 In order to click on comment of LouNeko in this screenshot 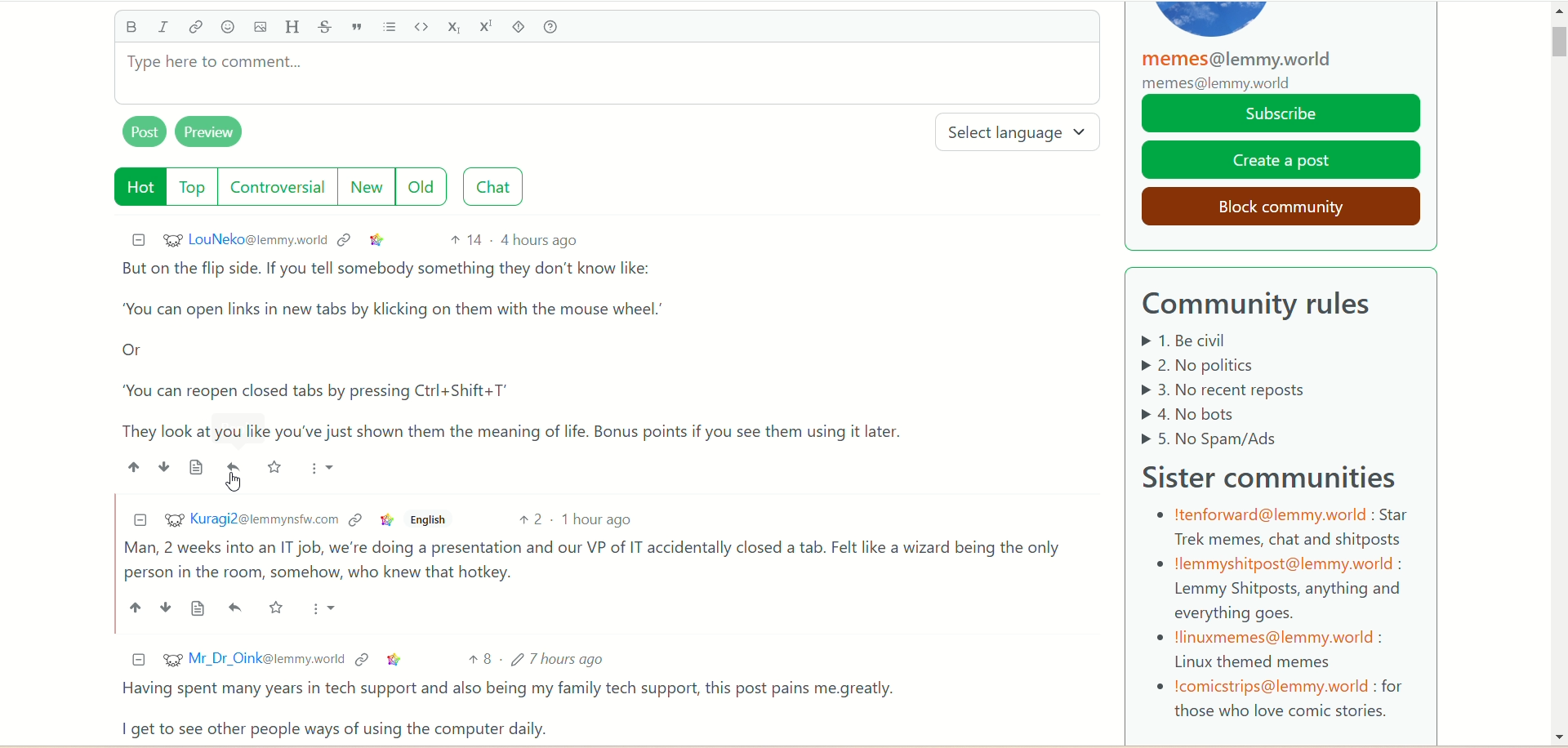, I will do `click(528, 350)`.